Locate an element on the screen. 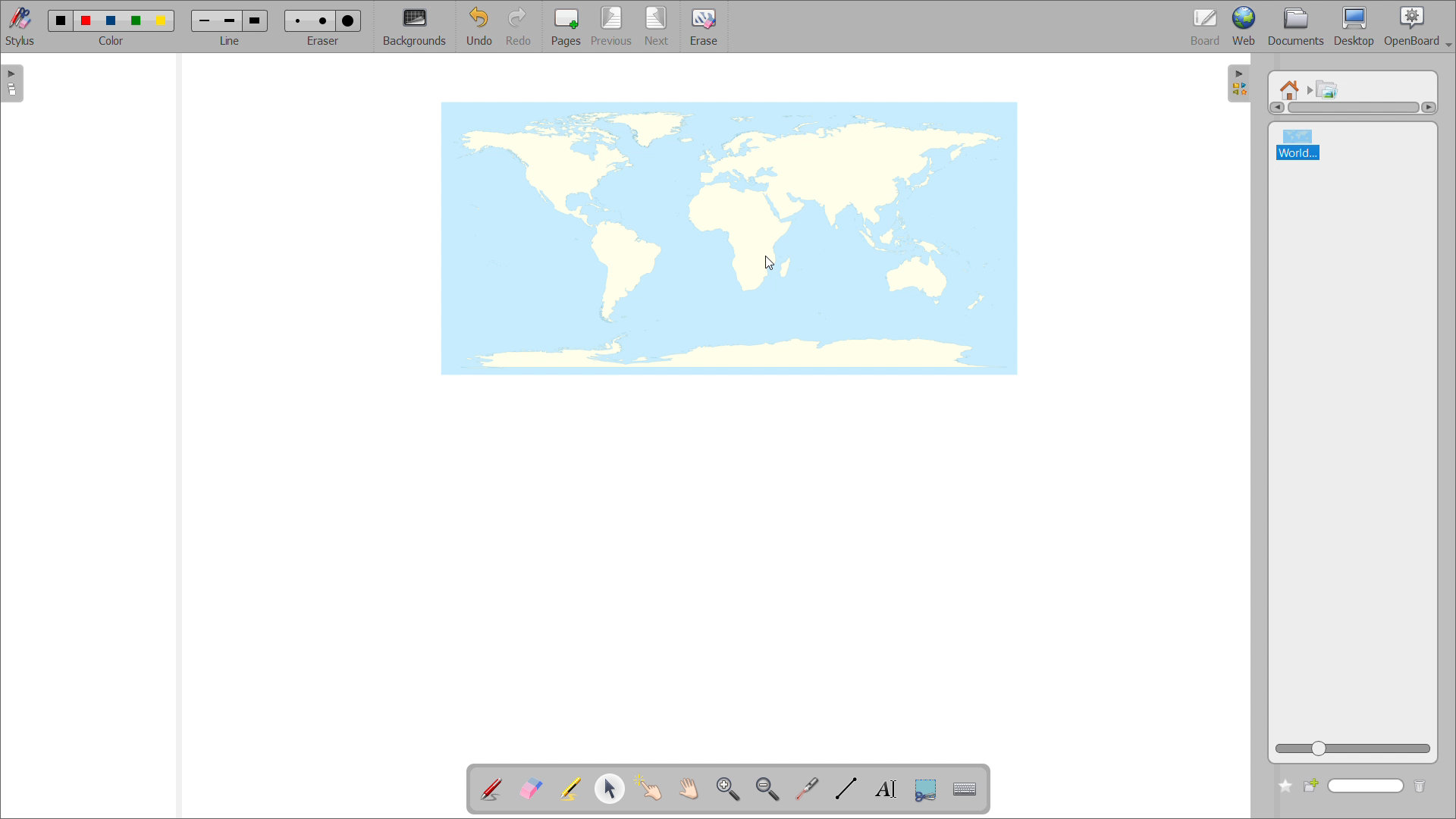 Image resolution: width=1456 pixels, height=819 pixels. add to favorites is located at coordinates (1285, 786).